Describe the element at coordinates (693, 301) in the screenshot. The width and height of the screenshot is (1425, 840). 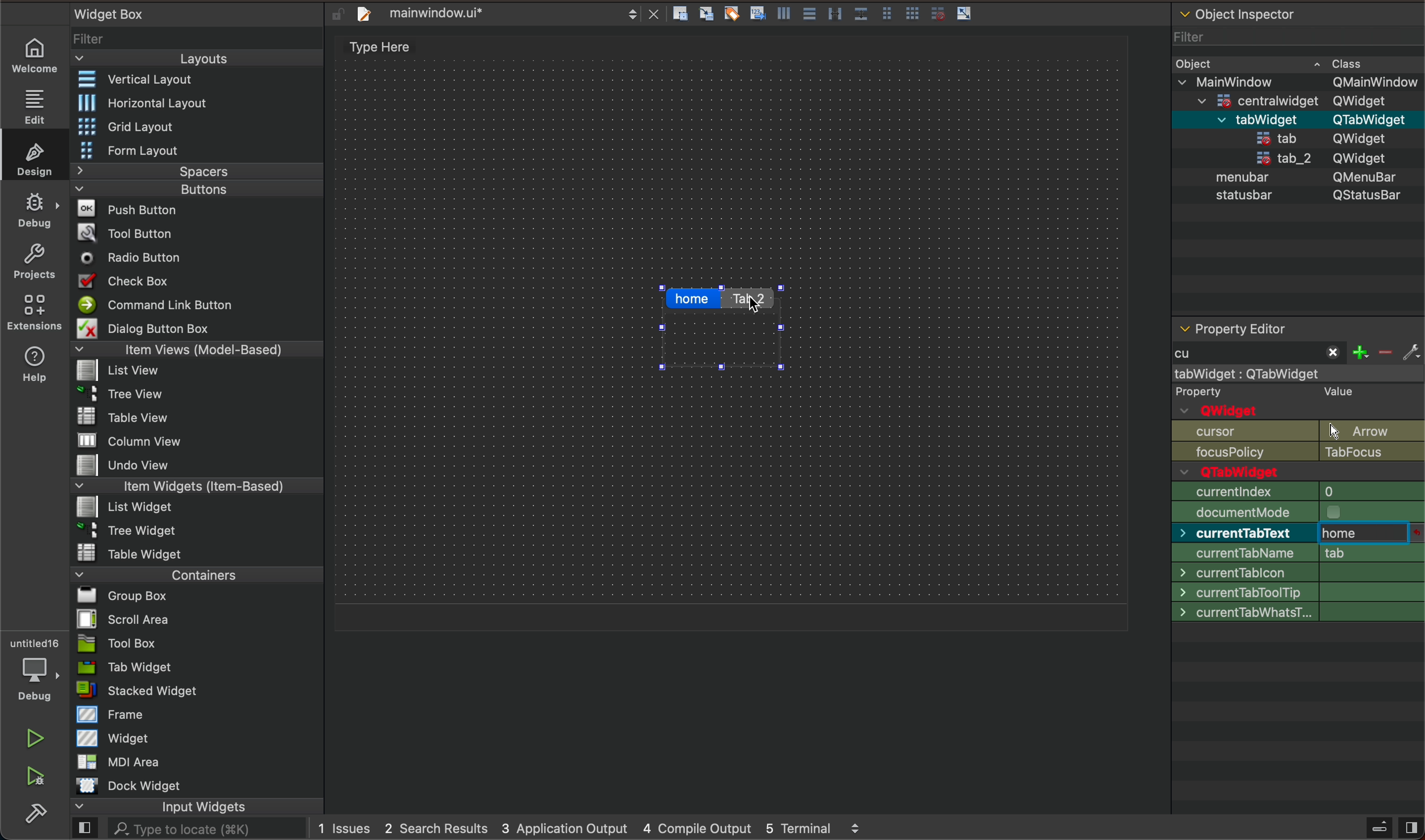
I see `home tab` at that location.